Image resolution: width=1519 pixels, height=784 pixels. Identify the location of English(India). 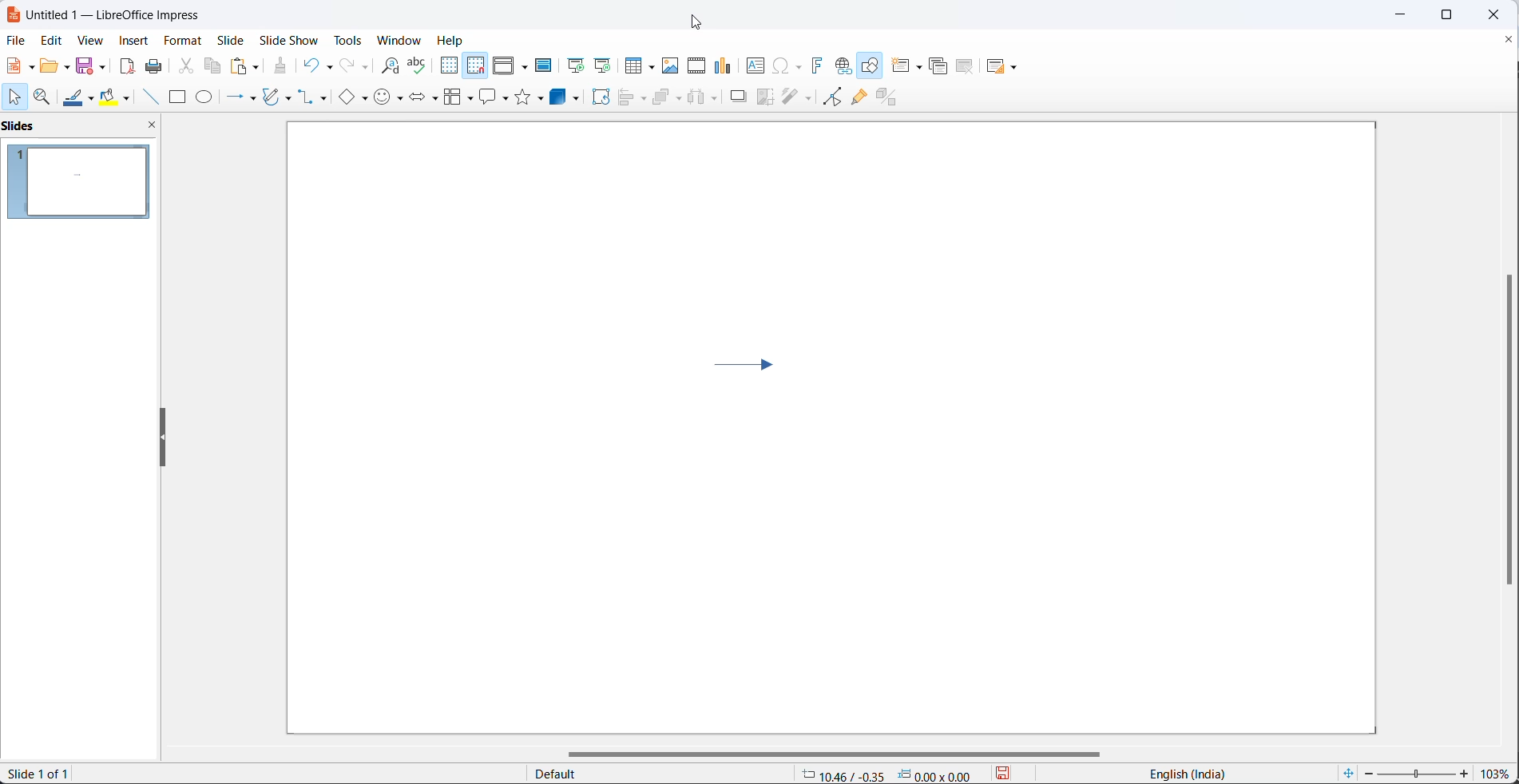
(1180, 774).